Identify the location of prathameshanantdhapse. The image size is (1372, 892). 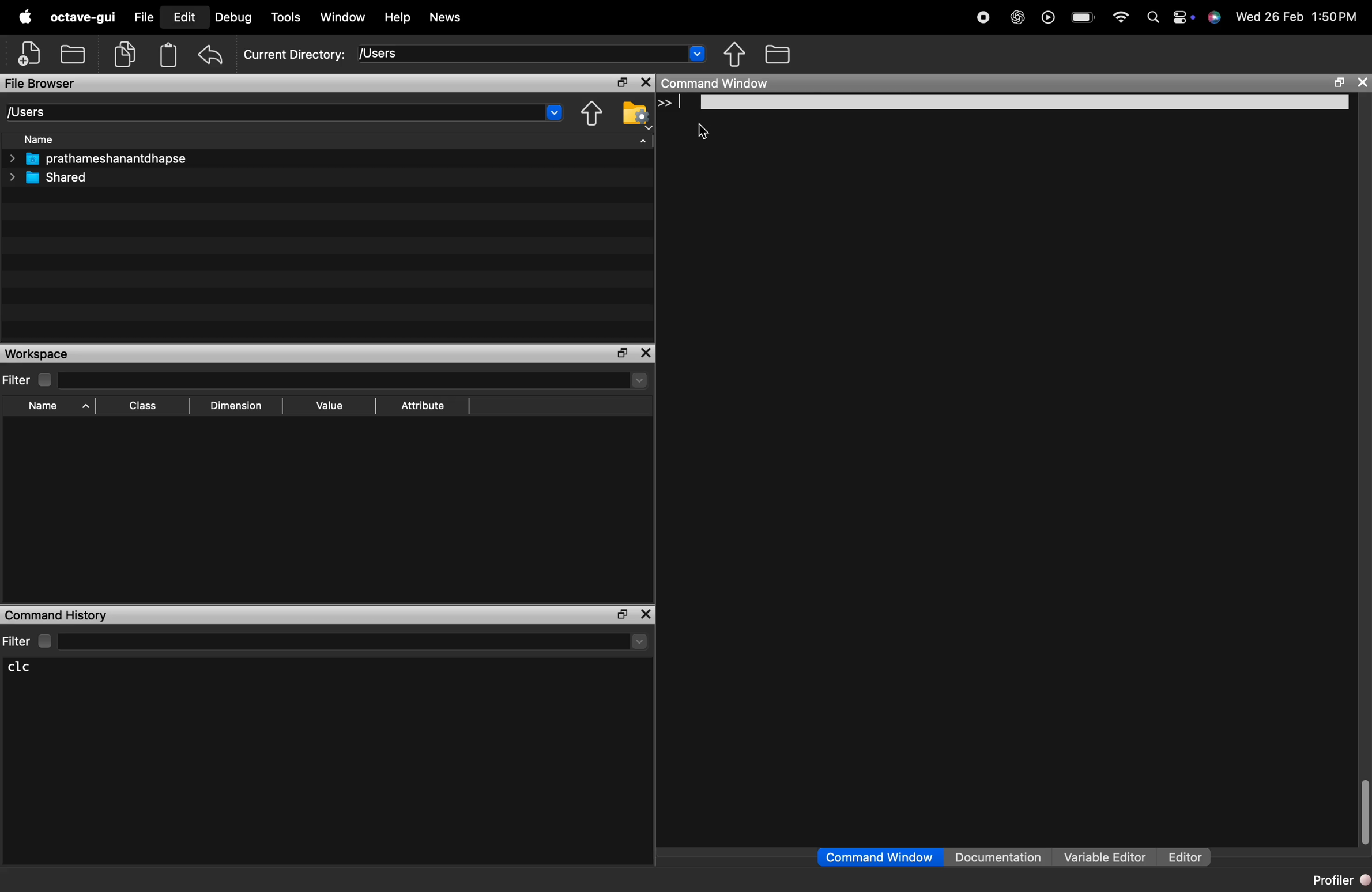
(97, 159).